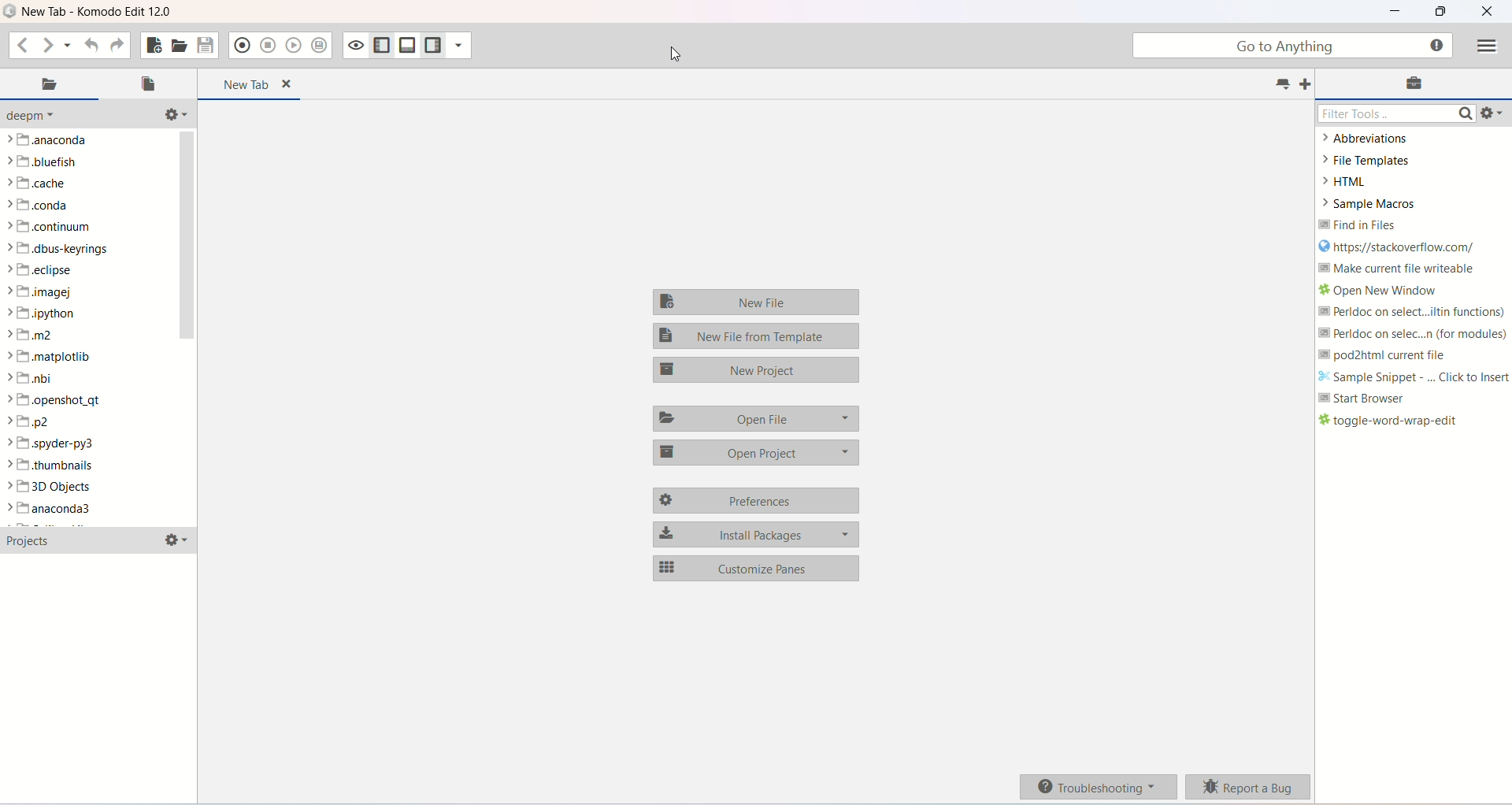  What do you see at coordinates (1364, 140) in the screenshot?
I see `abbreviations` at bounding box center [1364, 140].